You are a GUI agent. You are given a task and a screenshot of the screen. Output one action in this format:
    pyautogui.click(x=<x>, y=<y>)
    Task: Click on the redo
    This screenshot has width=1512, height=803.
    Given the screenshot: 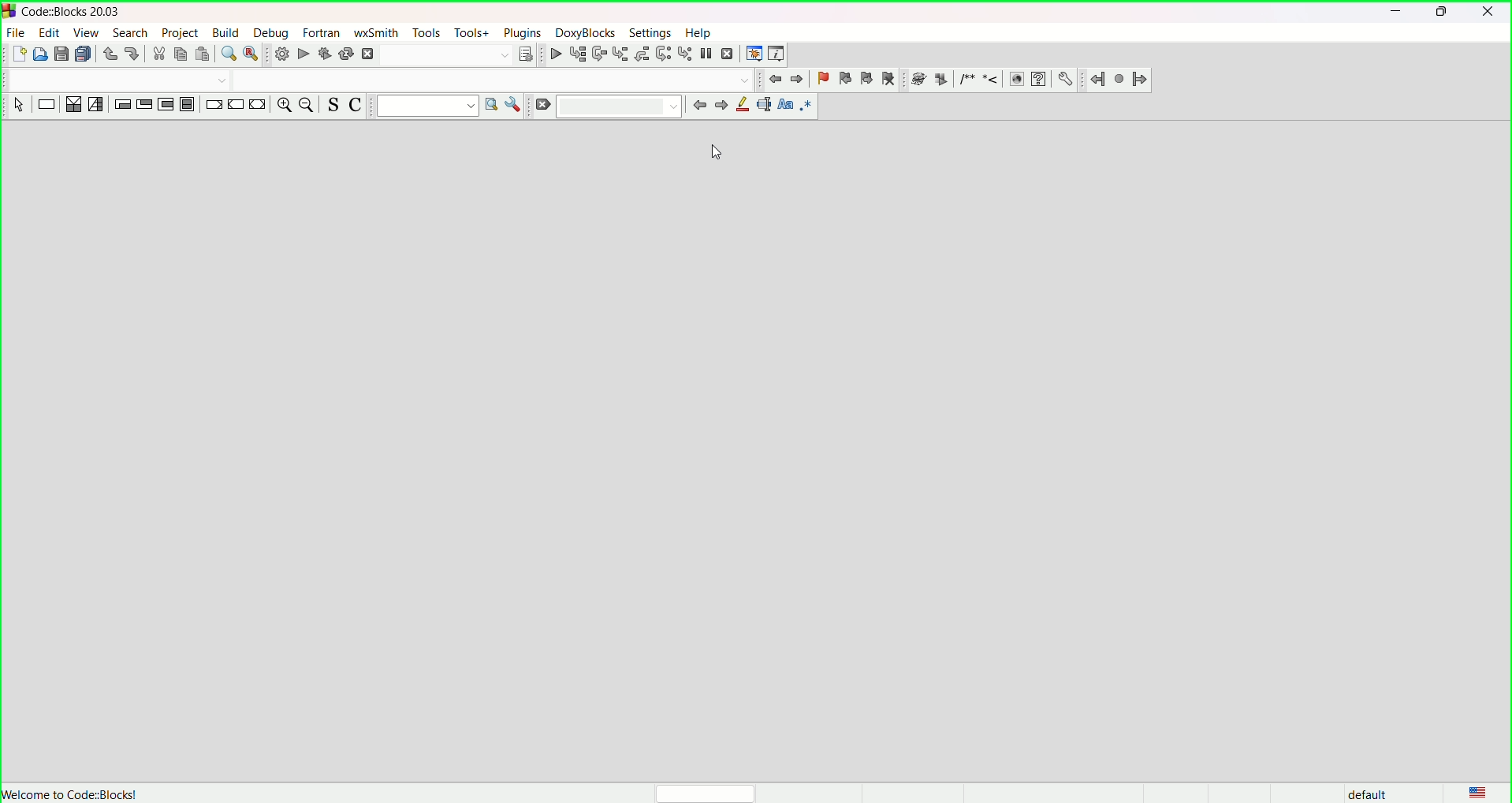 What is the action you would take?
    pyautogui.click(x=132, y=56)
    